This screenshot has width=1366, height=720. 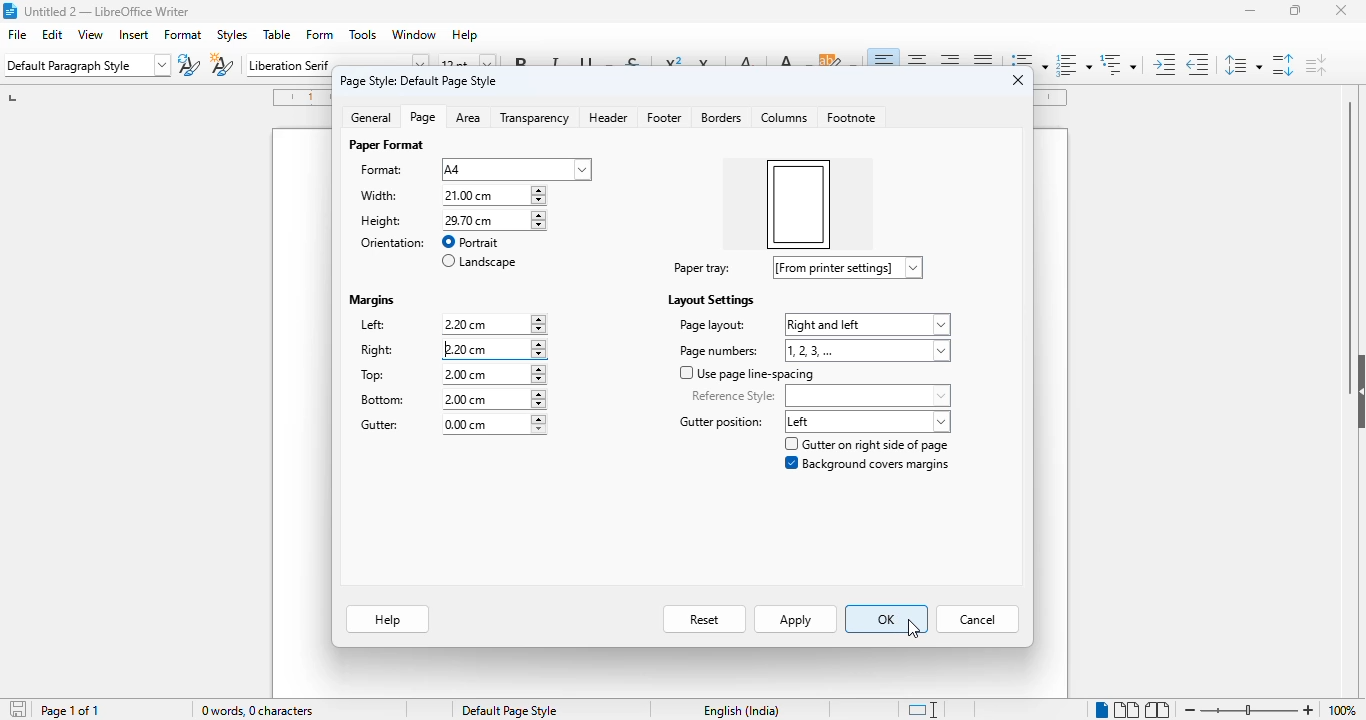 I want to click on logo, so click(x=10, y=11).